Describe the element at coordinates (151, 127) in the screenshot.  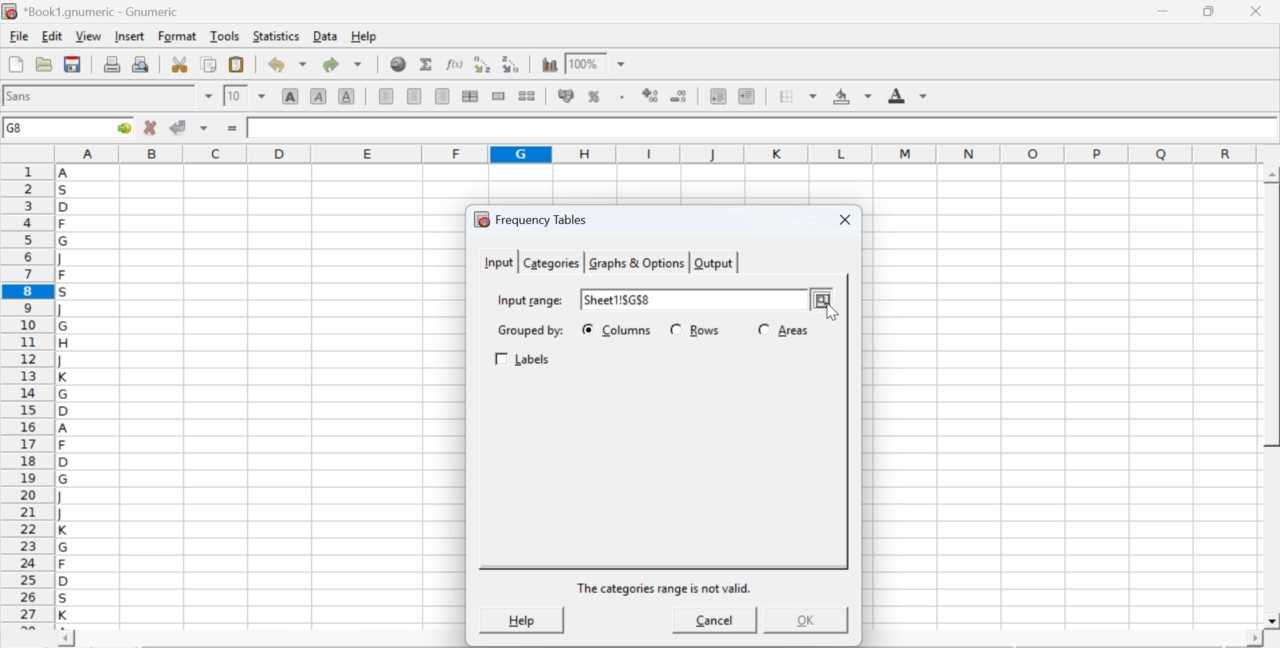
I see `cancel changes` at that location.